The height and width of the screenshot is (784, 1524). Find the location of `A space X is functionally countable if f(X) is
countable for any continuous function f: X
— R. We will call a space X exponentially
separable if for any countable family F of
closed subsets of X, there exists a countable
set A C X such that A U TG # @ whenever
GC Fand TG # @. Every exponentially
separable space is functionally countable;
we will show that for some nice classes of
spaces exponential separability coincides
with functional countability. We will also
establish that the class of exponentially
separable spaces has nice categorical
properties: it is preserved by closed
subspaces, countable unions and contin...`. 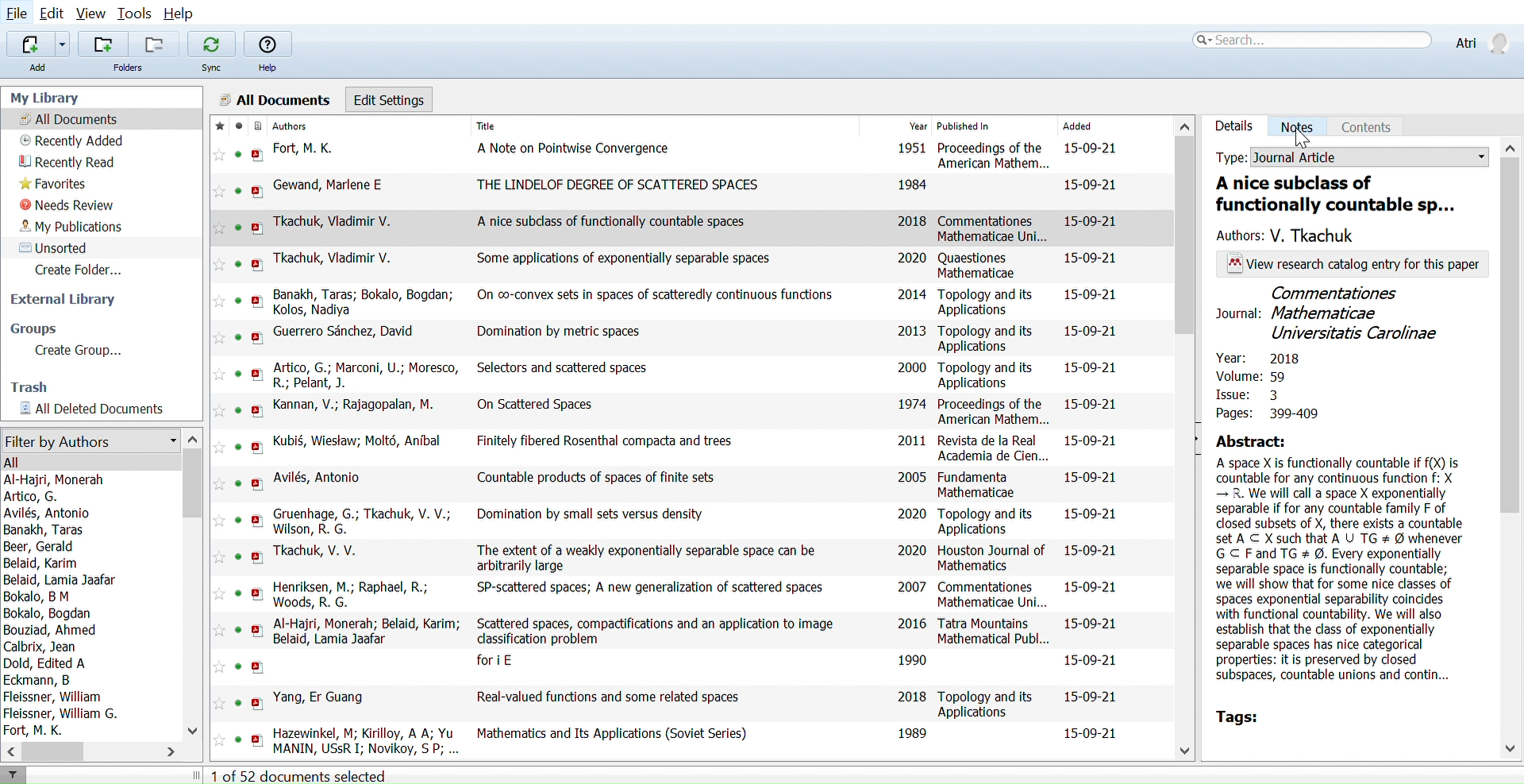

A space X is functionally countable if f(X) is
countable for any continuous function f: X
— R. We will call a space X exponentially
separable if for any countable family F of
closed subsets of X, there exists a countable
set A C X such that A U TG # @ whenever
GC Fand TG # @. Every exponentially
separable space is functionally countable;
we will show that for some nice classes of
spaces exponential separability coincides
with functional countability. We will also
establish that the class of exponentially
separable spaces has nice categorical
properties: it is preserved by closed
subspaces, countable unions and contin... is located at coordinates (1338, 571).